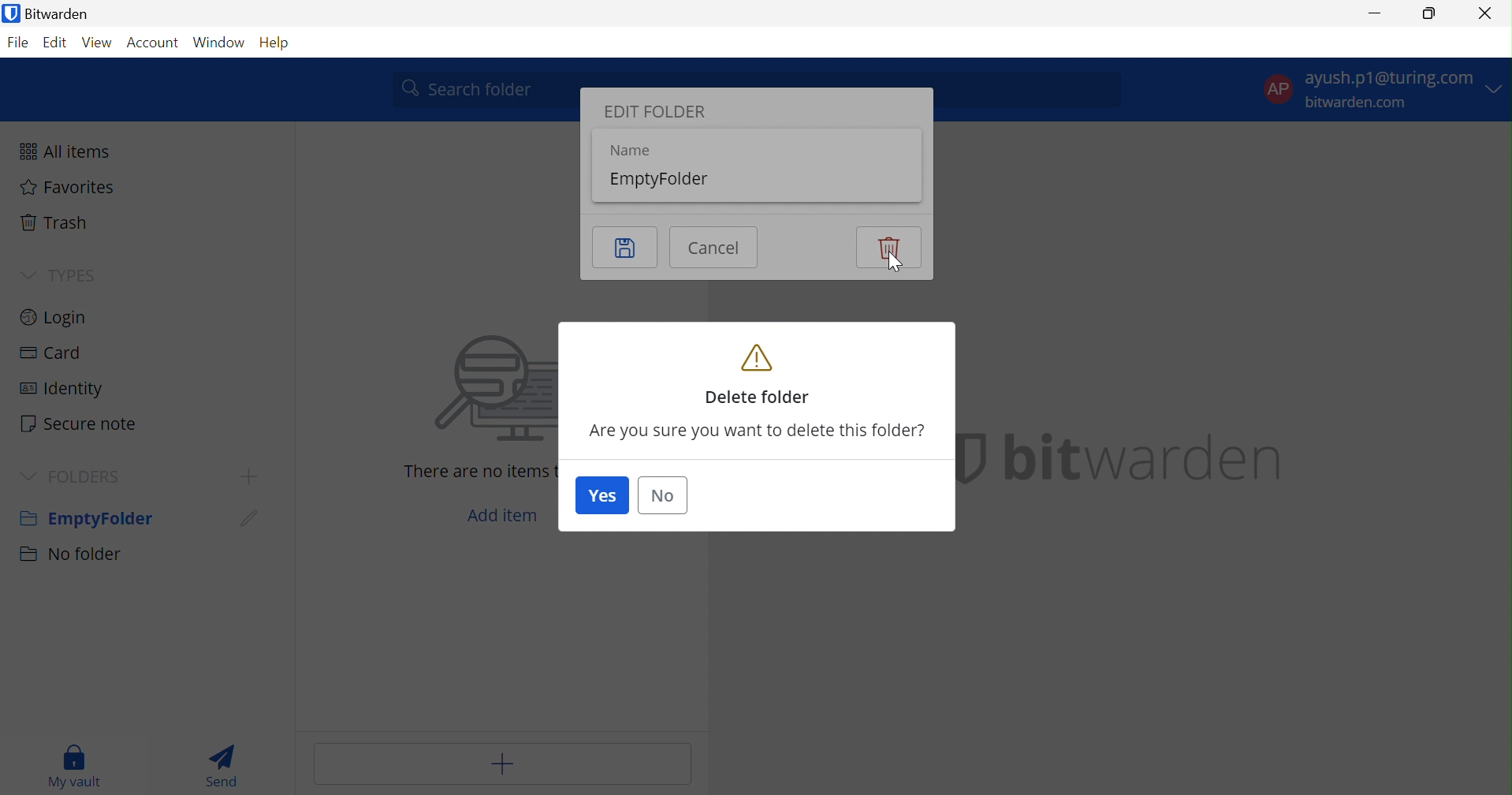 The image size is (1512, 795). What do you see at coordinates (601, 496) in the screenshot?
I see `Yes` at bounding box center [601, 496].